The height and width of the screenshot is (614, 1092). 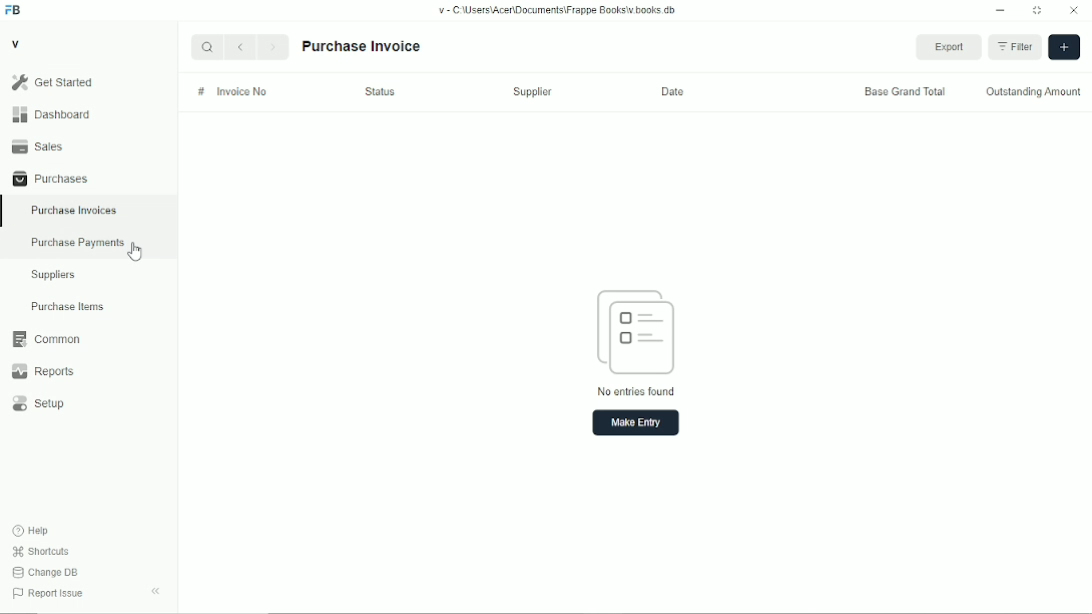 I want to click on Help, so click(x=31, y=531).